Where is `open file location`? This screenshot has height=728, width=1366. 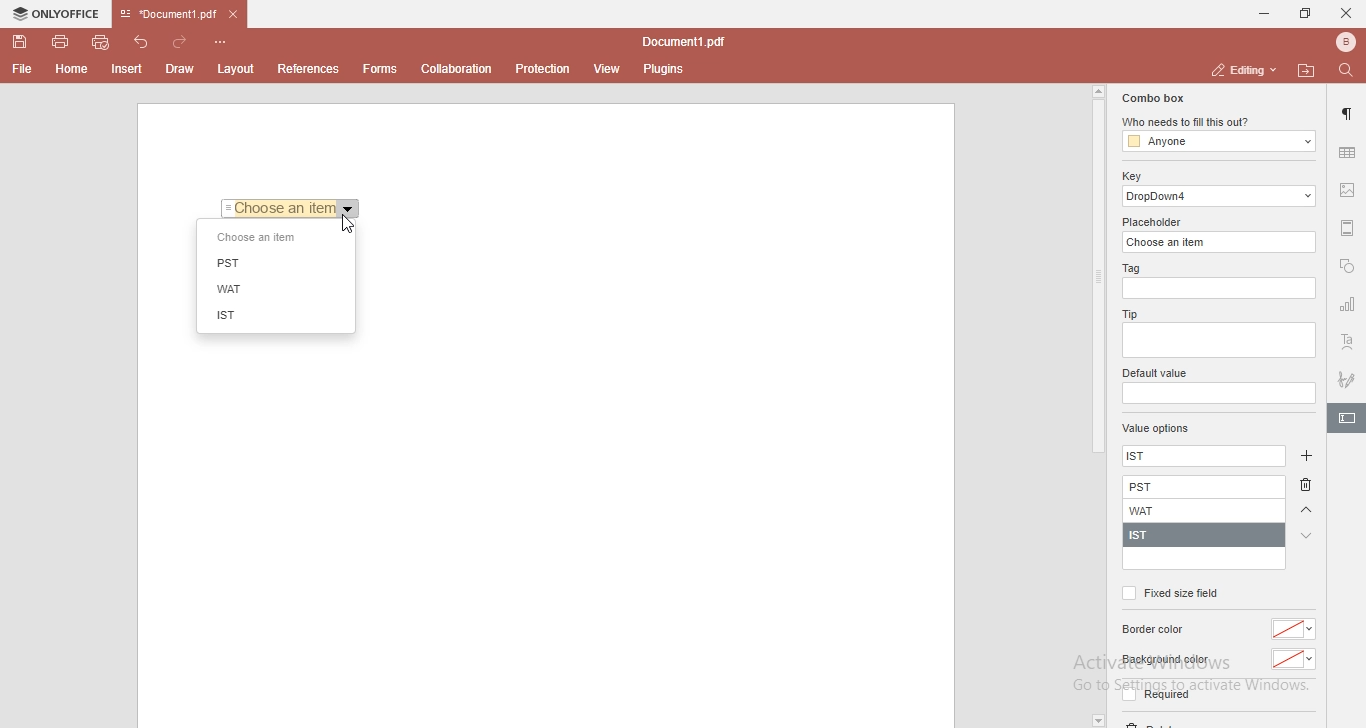 open file location is located at coordinates (1309, 70).